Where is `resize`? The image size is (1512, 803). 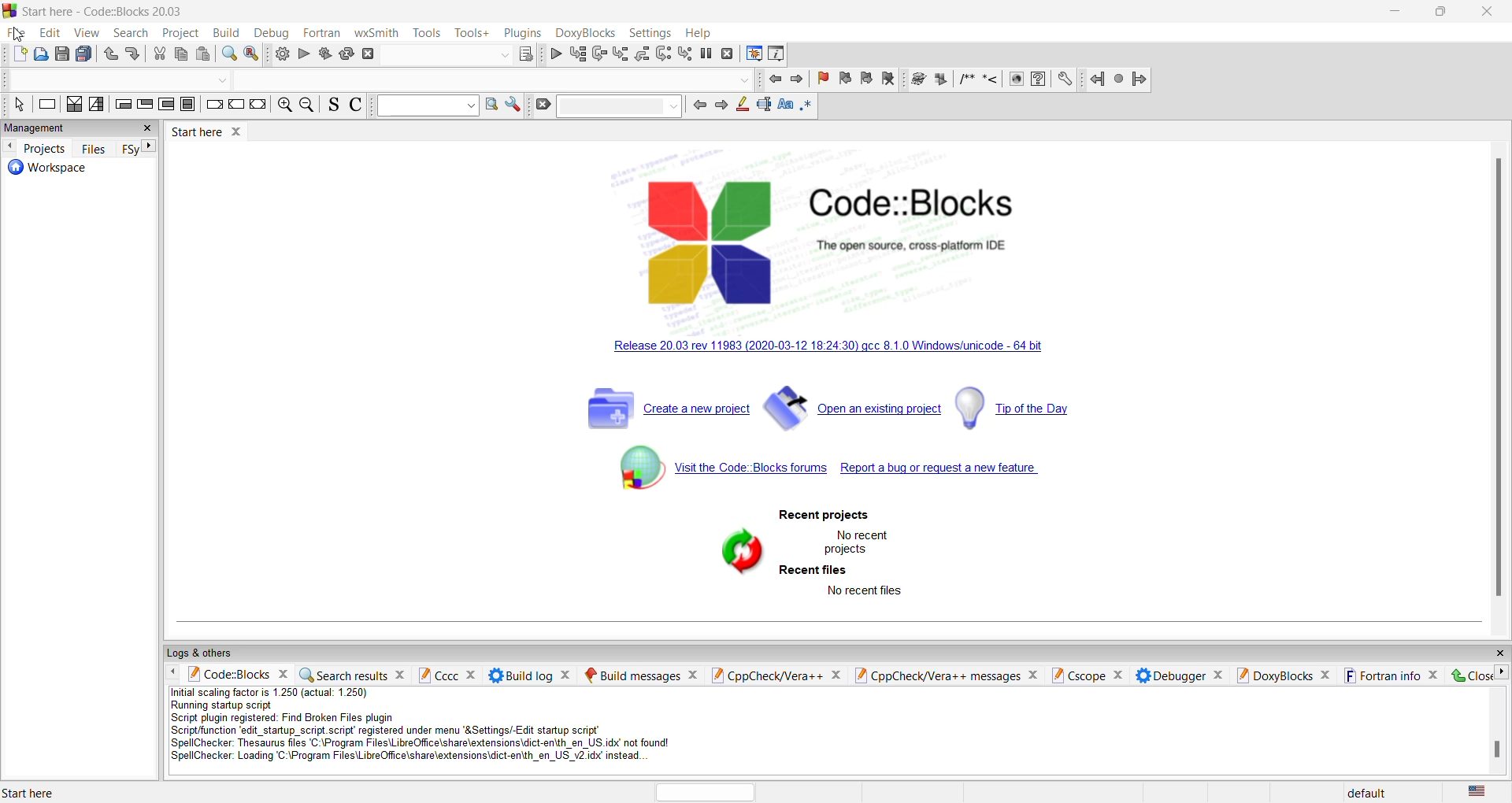
resize is located at coordinates (1443, 12).